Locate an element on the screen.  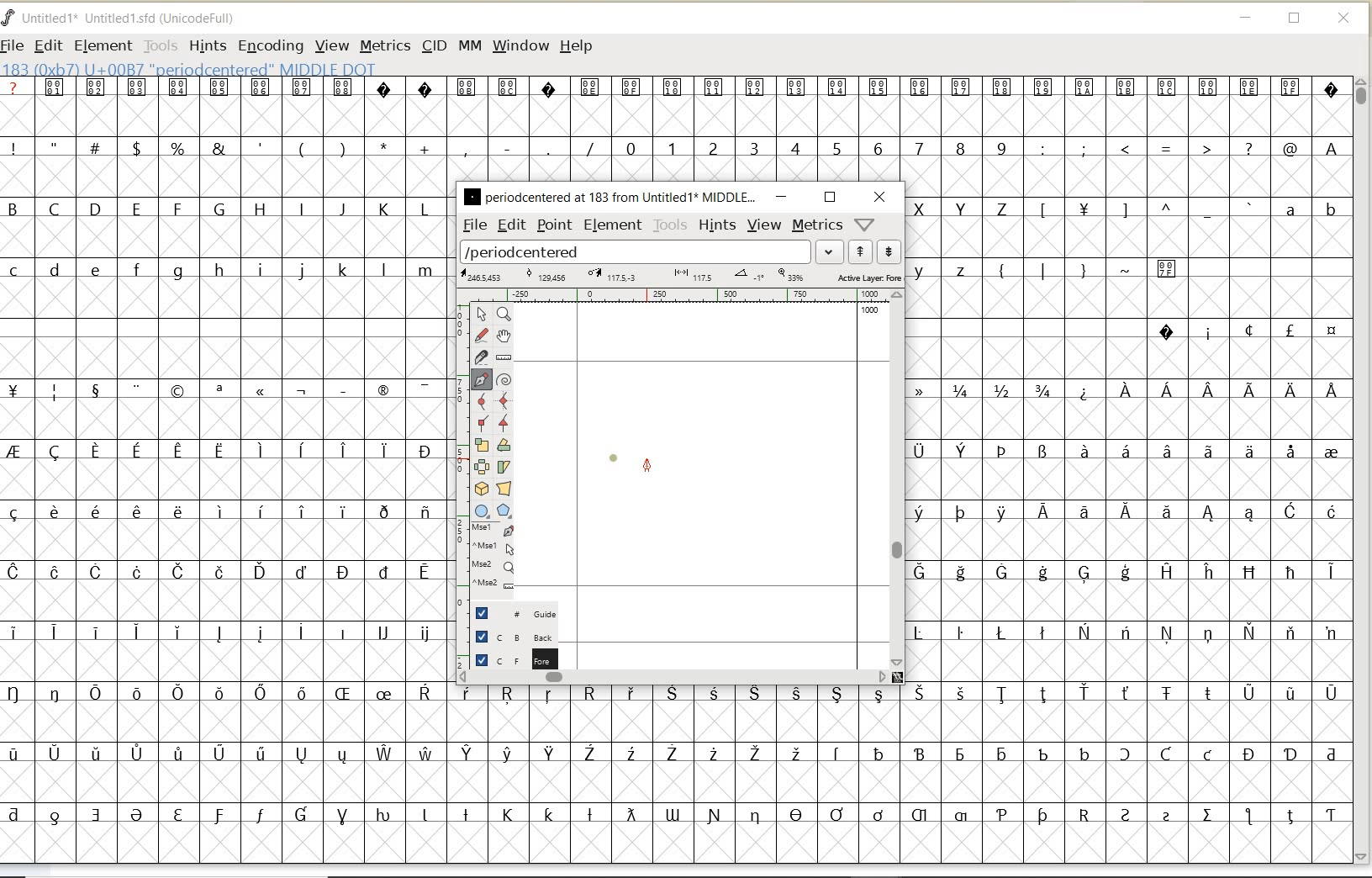
ruler is located at coordinates (683, 297).